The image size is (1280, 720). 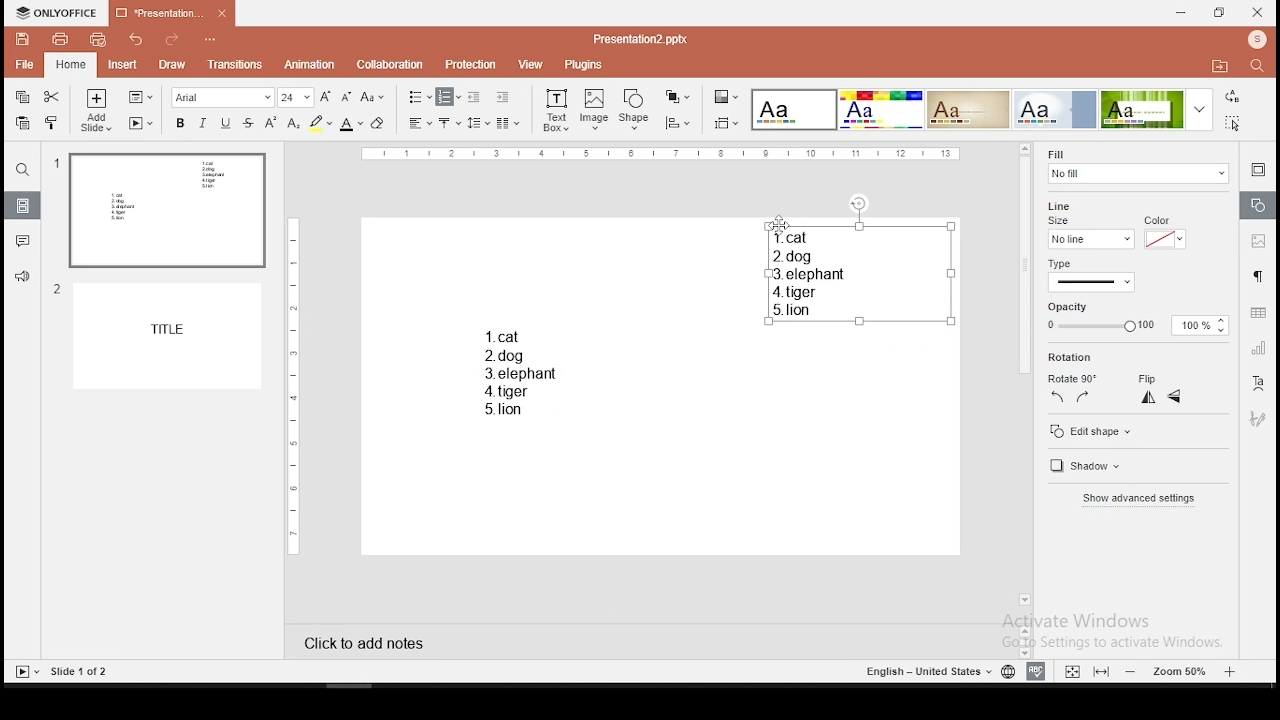 What do you see at coordinates (121, 64) in the screenshot?
I see `insert` at bounding box center [121, 64].